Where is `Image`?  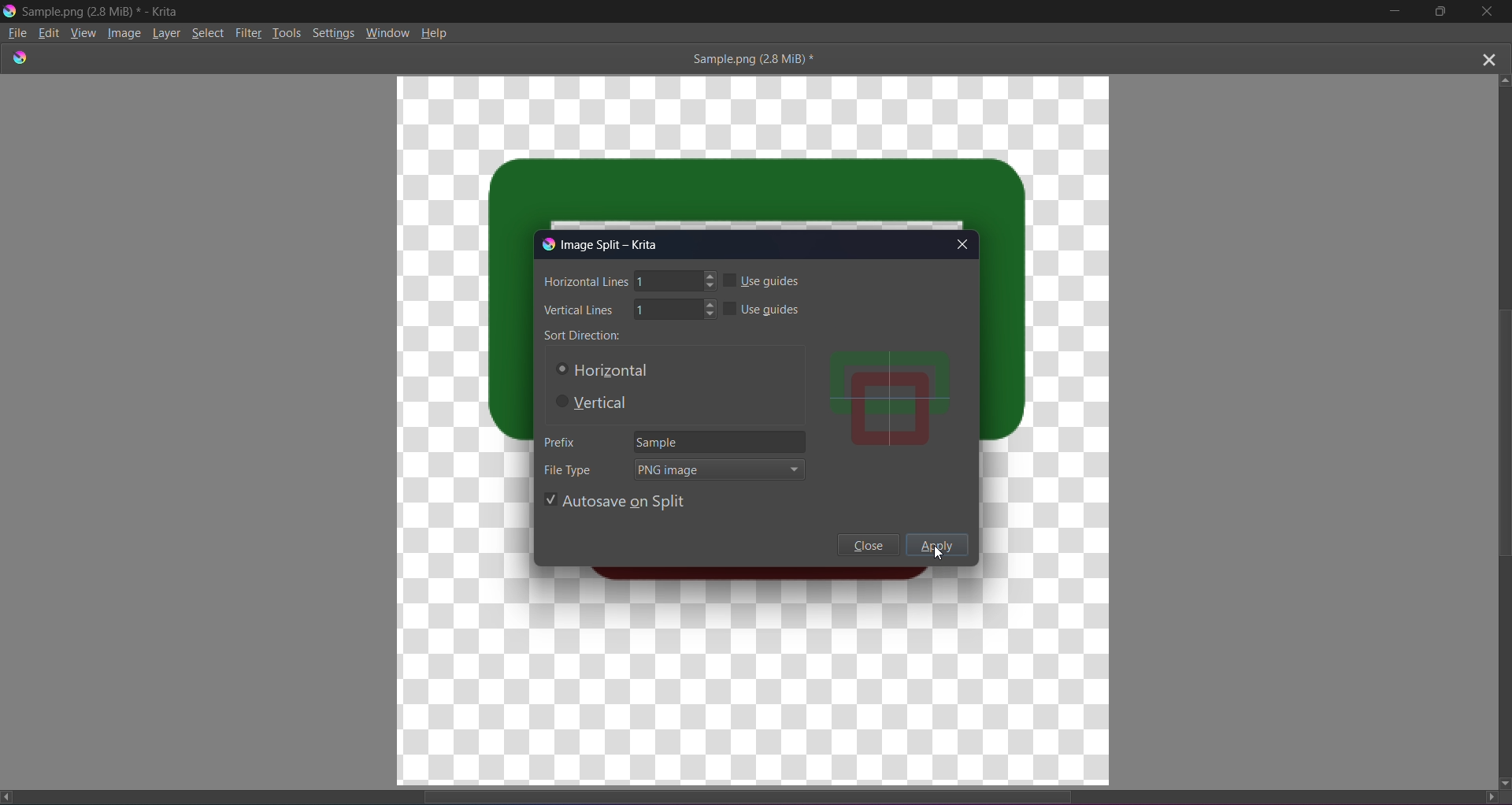
Image is located at coordinates (125, 34).